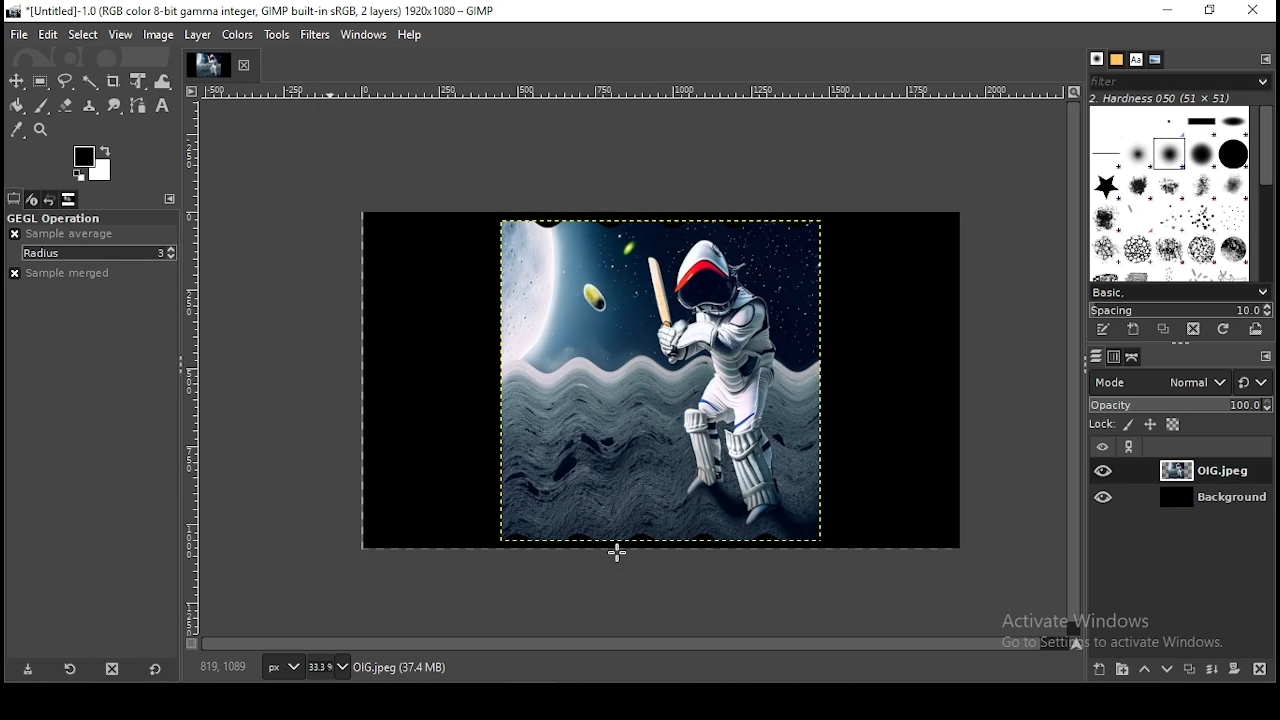 The height and width of the screenshot is (720, 1280). Describe the element at coordinates (1179, 292) in the screenshot. I see `brush presets` at that location.